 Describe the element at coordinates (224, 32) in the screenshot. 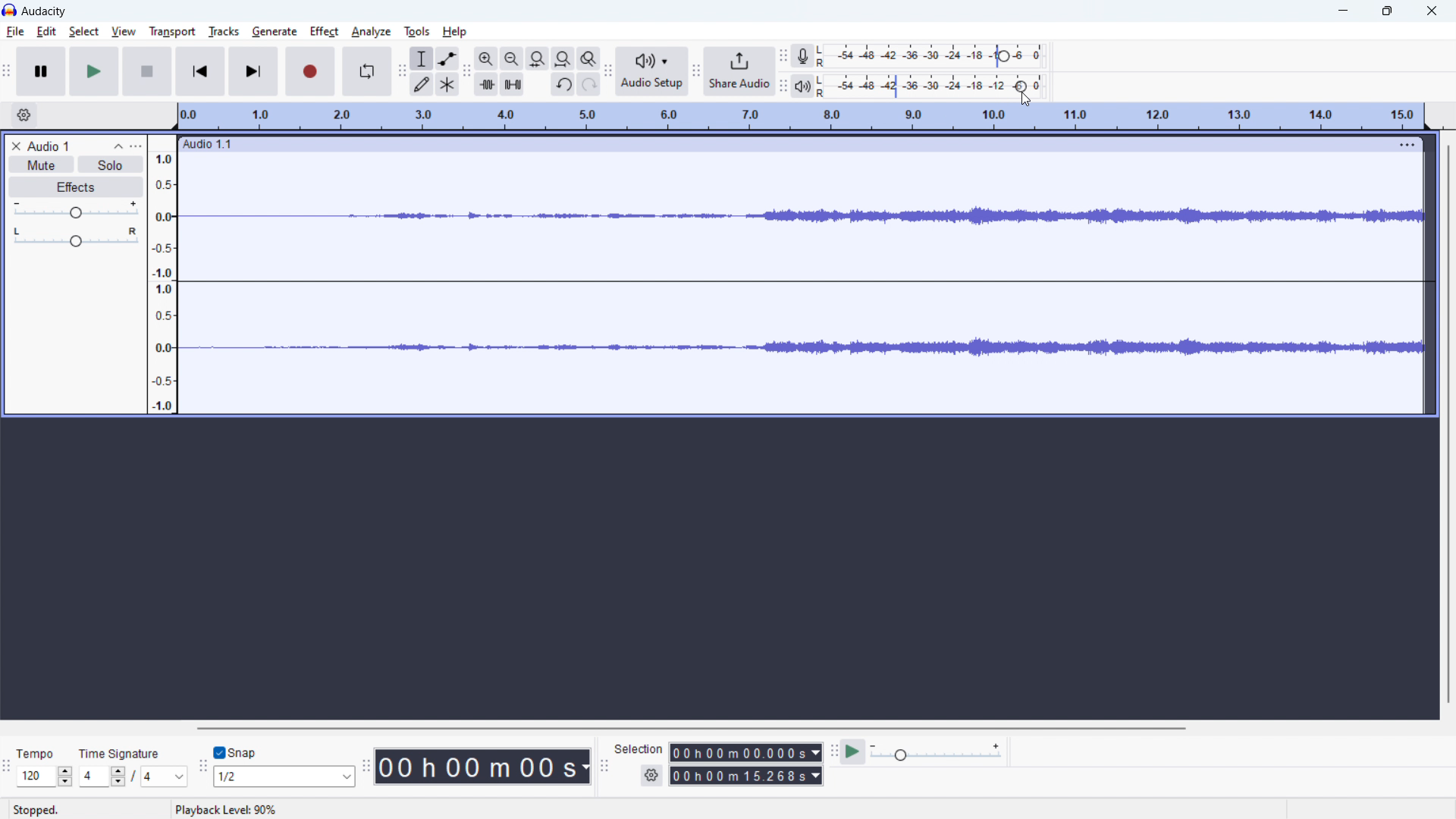

I see `tracks` at that location.